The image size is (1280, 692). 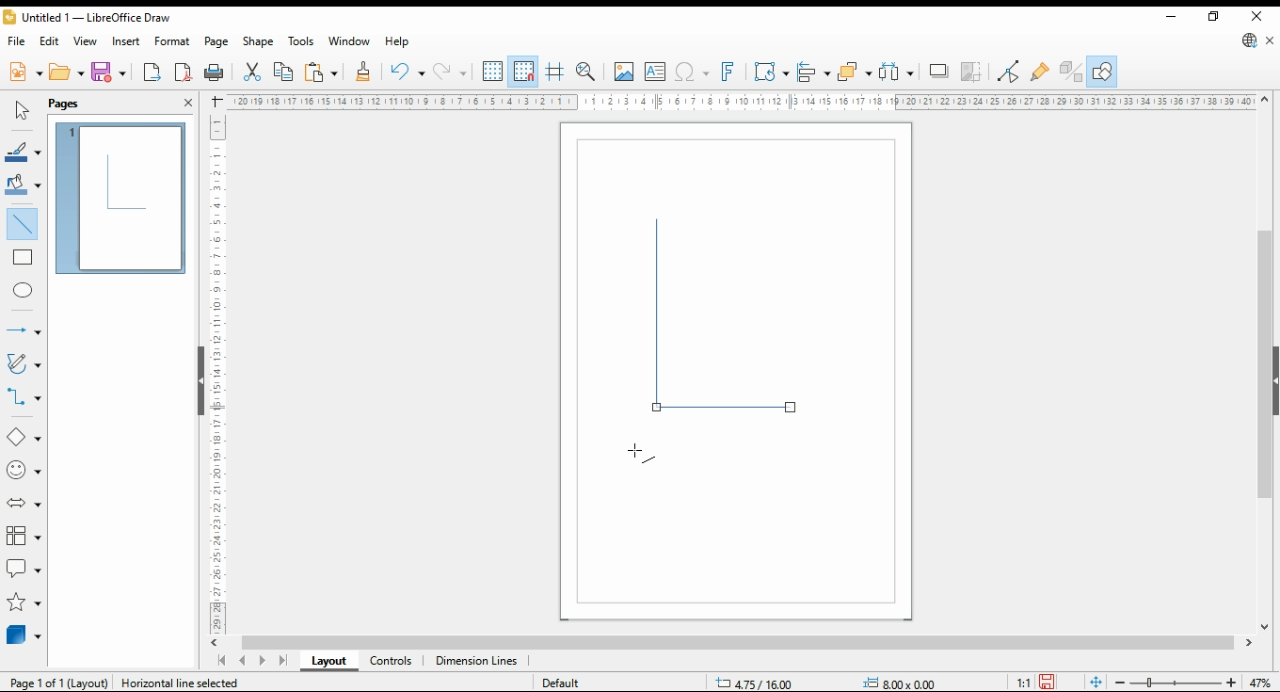 I want to click on toggle extrusions, so click(x=1071, y=72).